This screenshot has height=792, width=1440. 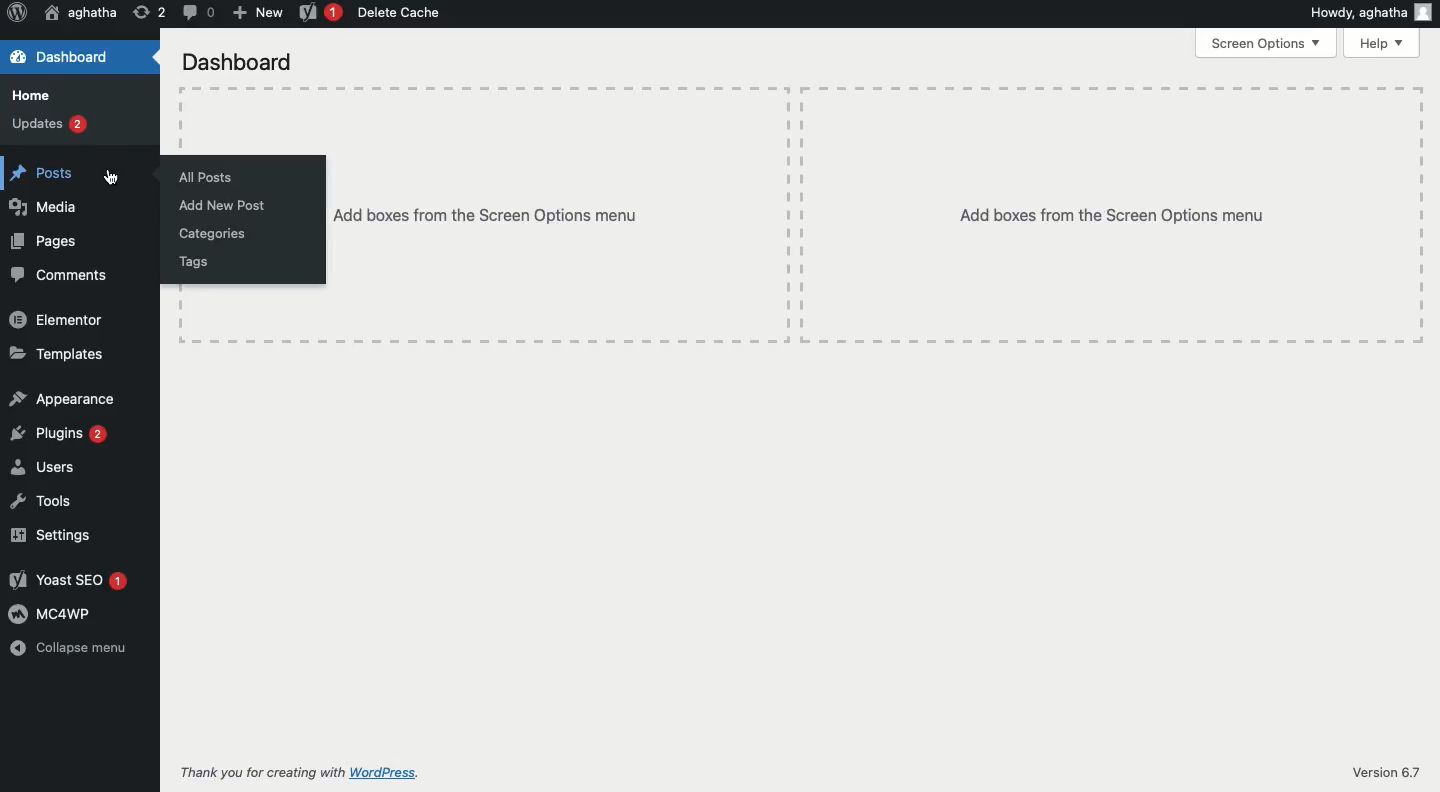 What do you see at coordinates (17, 14) in the screenshot?
I see `Logo` at bounding box center [17, 14].